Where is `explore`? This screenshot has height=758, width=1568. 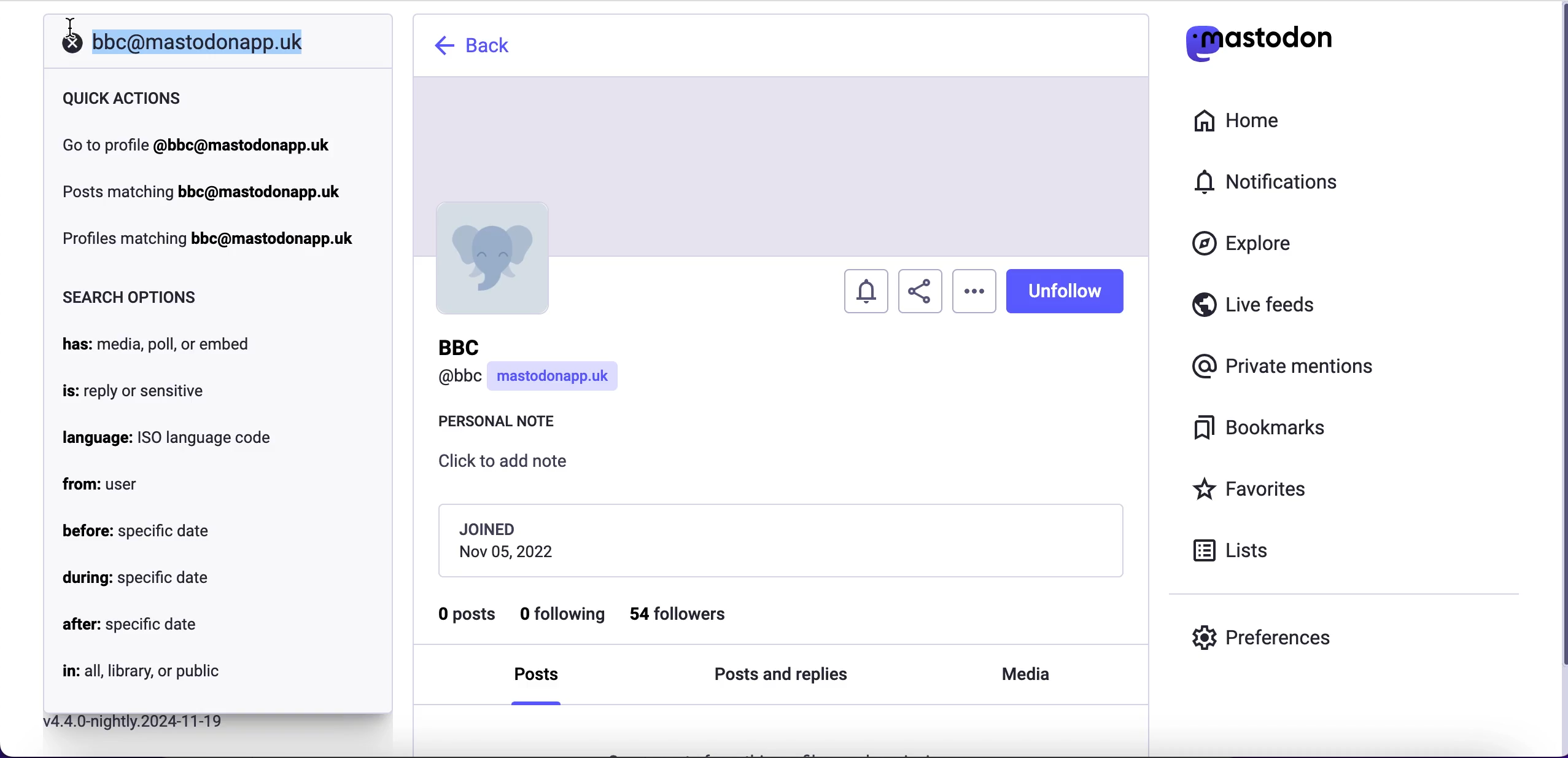 explore is located at coordinates (1254, 244).